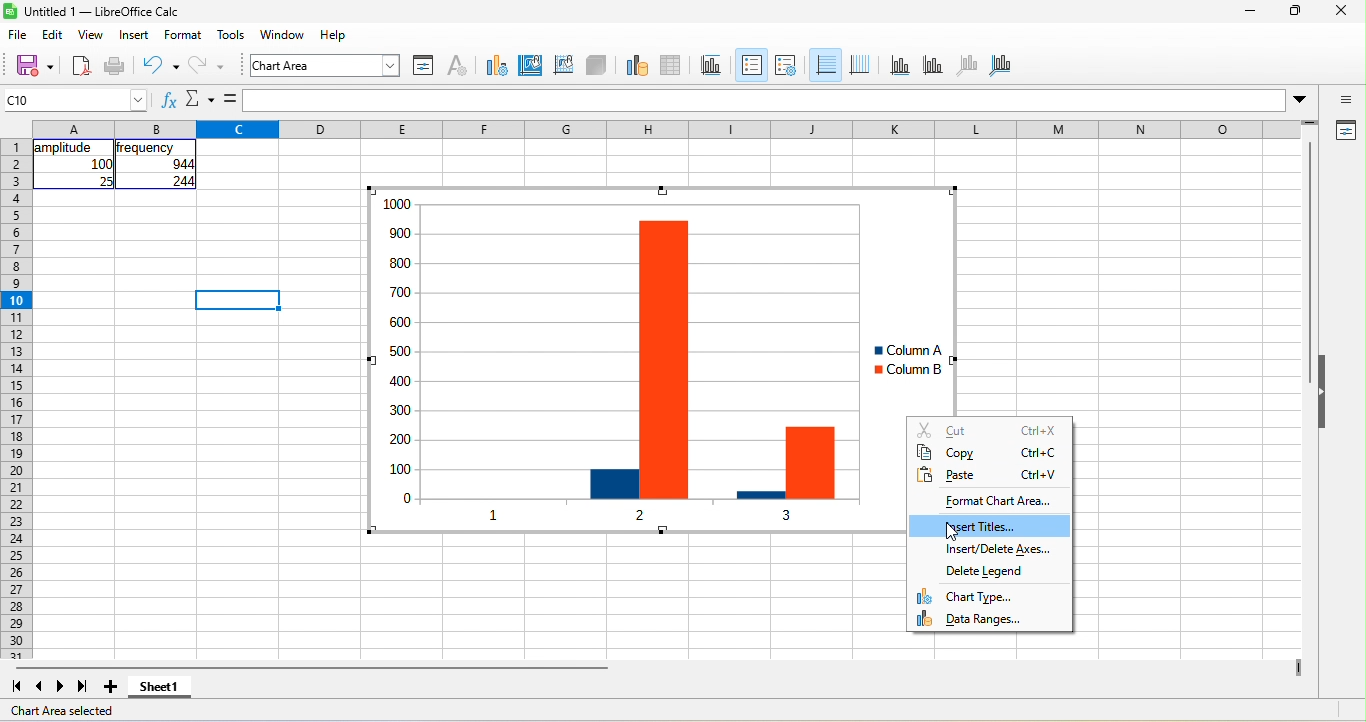 The height and width of the screenshot is (722, 1366). Describe the element at coordinates (990, 500) in the screenshot. I see `format chart area` at that location.